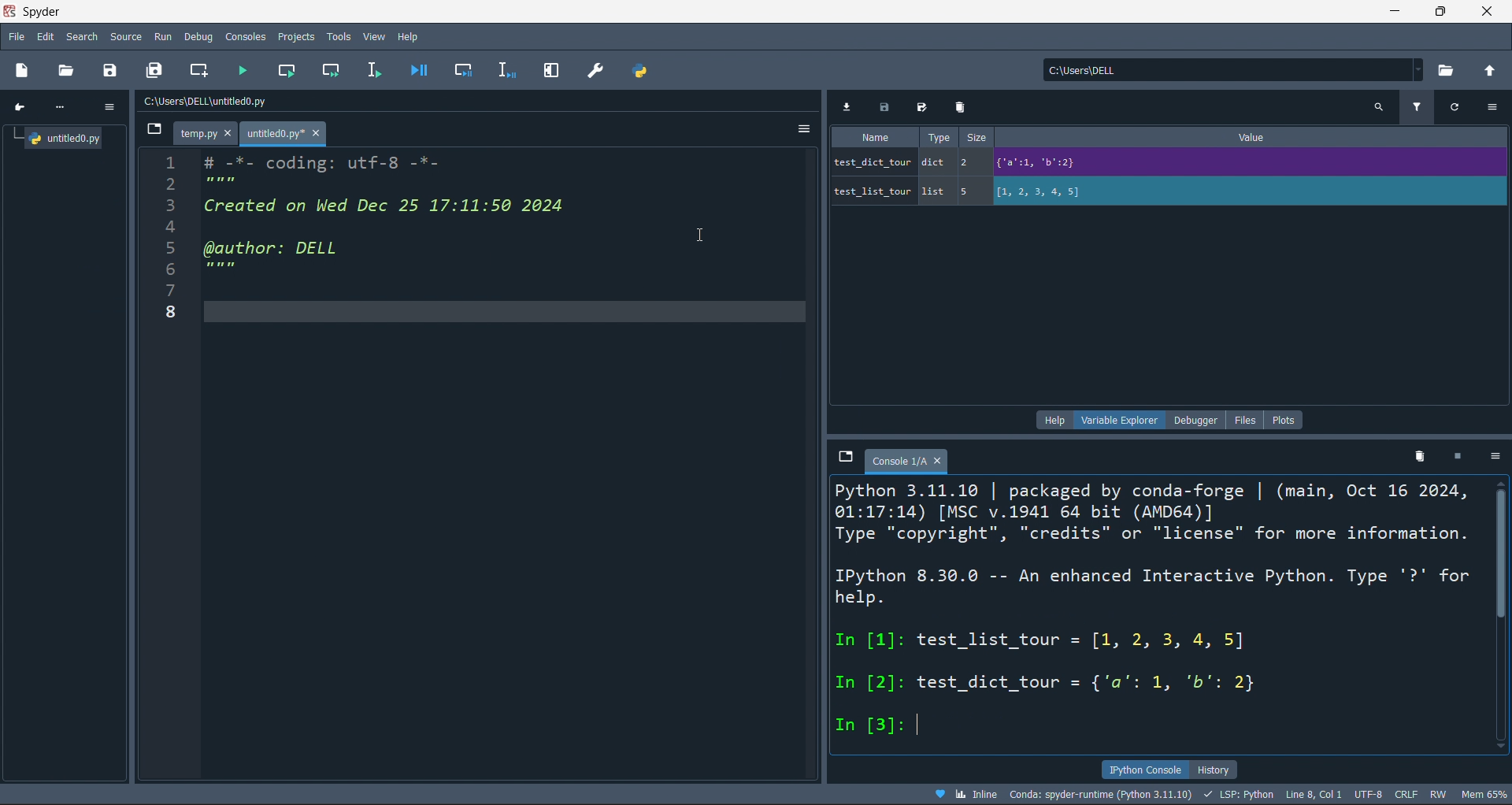 This screenshot has width=1512, height=805. Describe the element at coordinates (161, 37) in the screenshot. I see `run` at that location.